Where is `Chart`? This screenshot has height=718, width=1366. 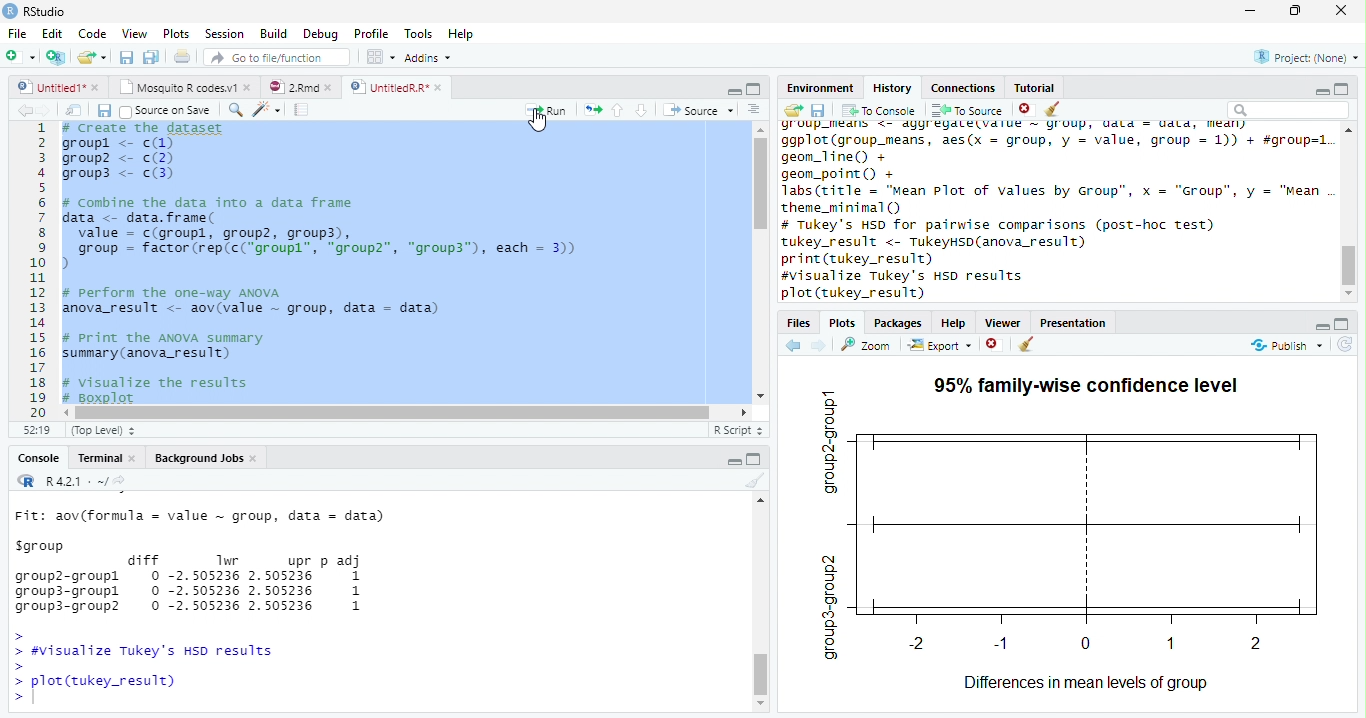
Chart is located at coordinates (1073, 529).